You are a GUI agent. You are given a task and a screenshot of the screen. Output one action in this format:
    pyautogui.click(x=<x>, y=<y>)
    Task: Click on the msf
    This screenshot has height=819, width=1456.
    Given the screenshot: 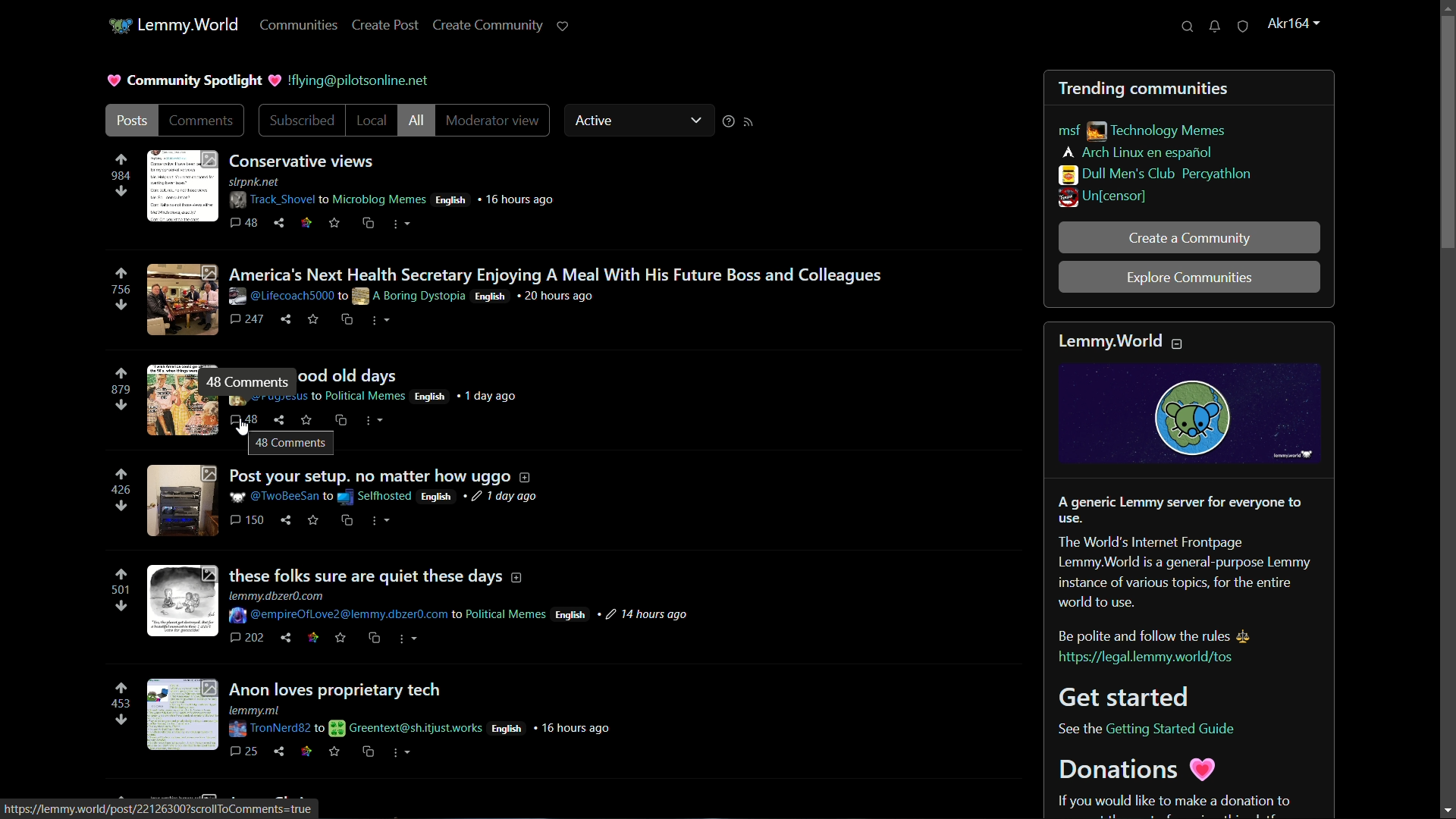 What is the action you would take?
    pyautogui.click(x=1067, y=131)
    